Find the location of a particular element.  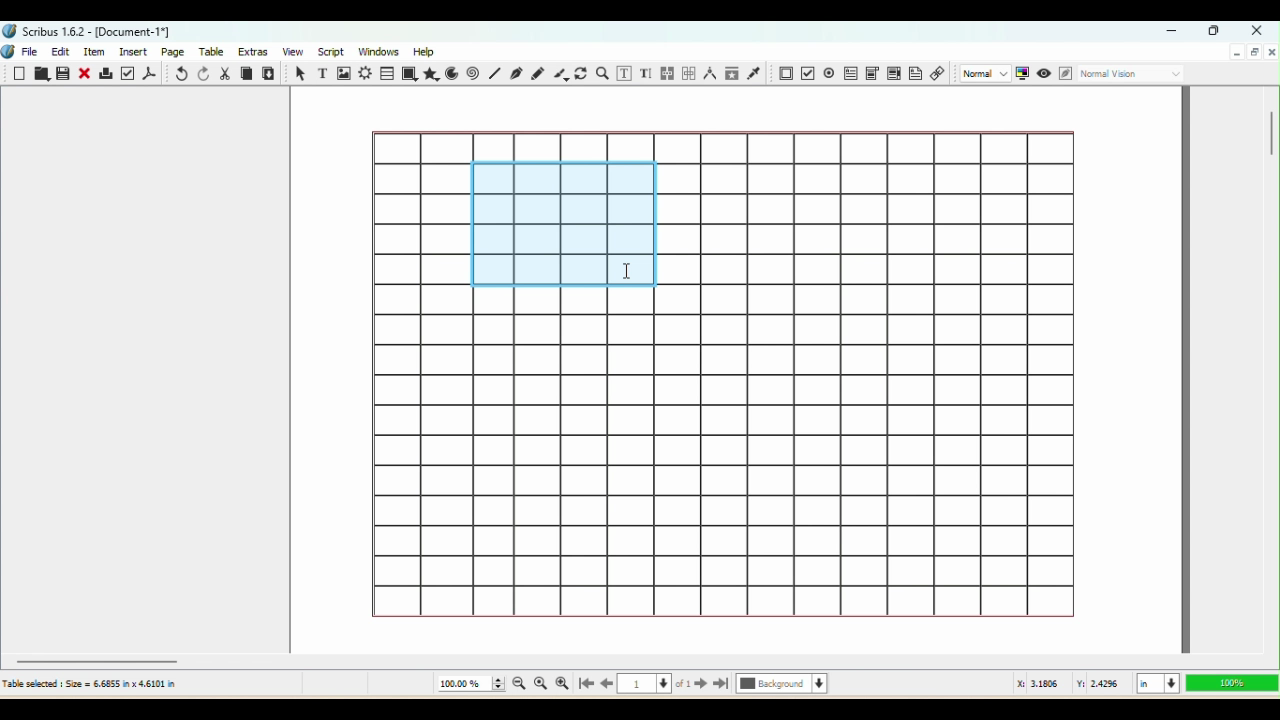

Text Annotation is located at coordinates (915, 76).